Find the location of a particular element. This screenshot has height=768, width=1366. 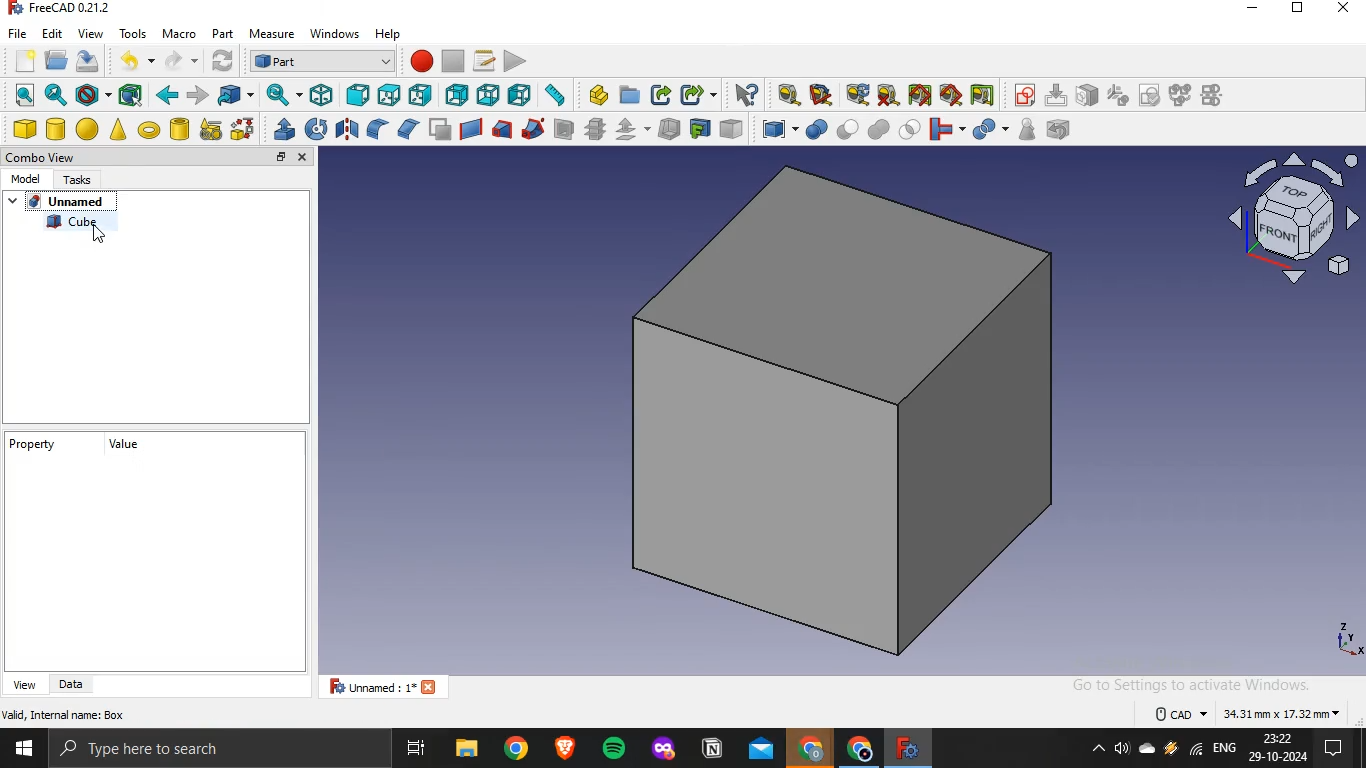

sync view is located at coordinates (281, 94).